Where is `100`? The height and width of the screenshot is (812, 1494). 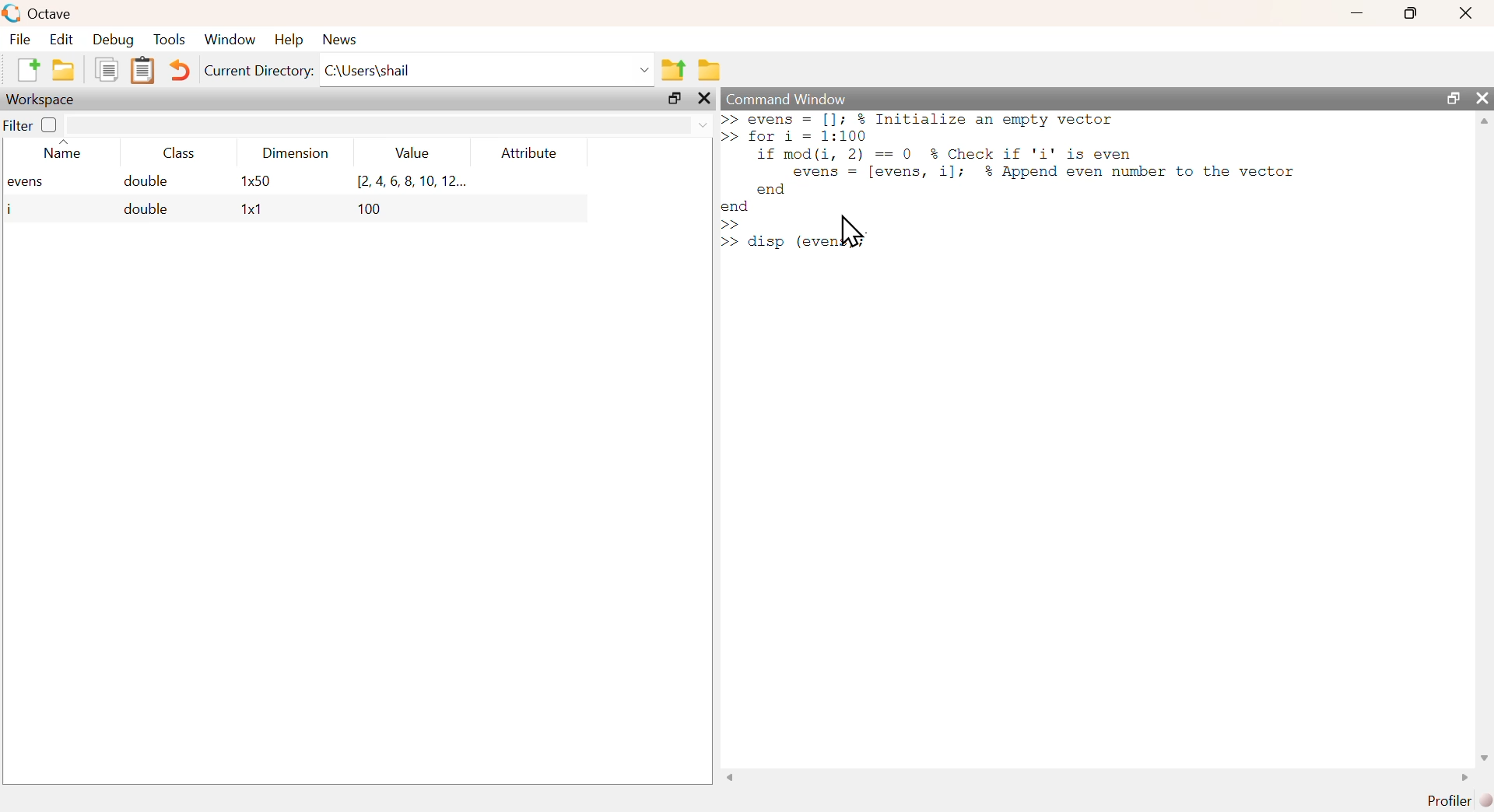 100 is located at coordinates (372, 210).